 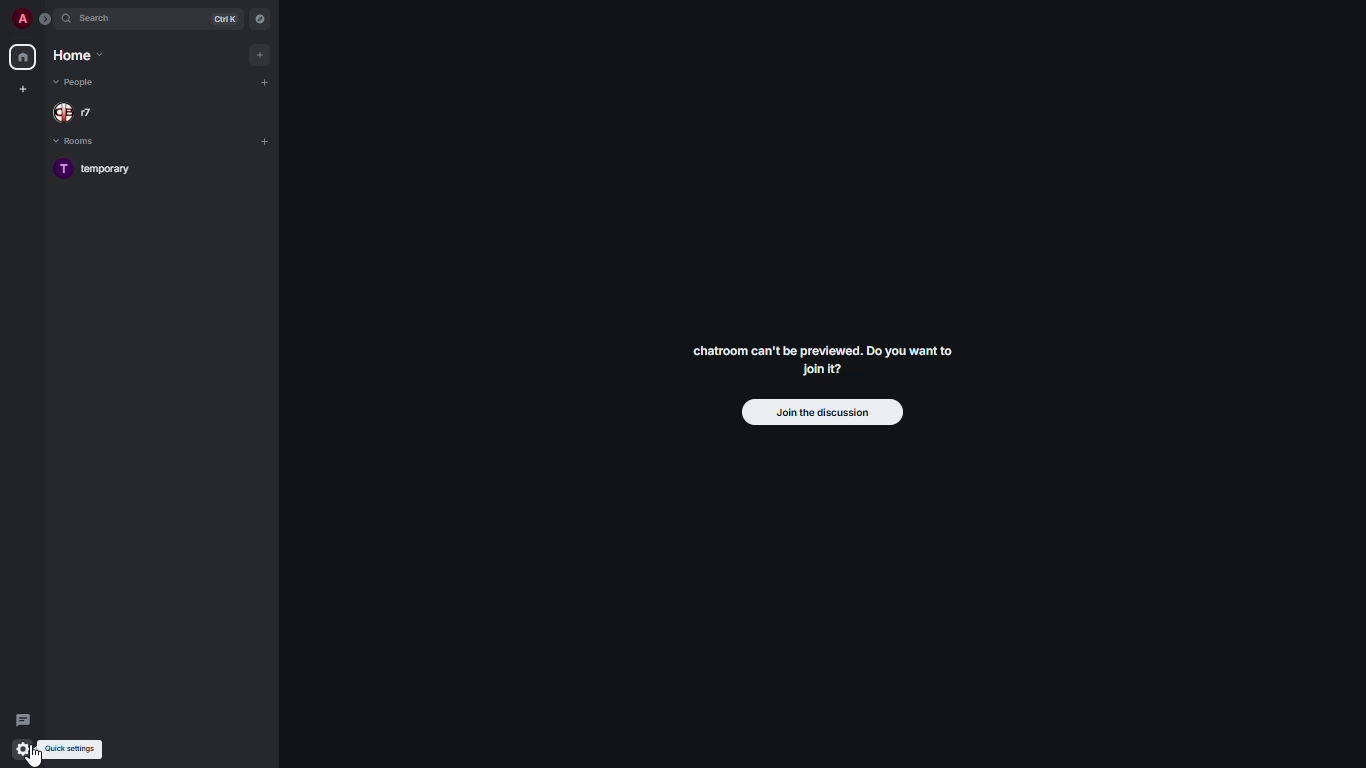 What do you see at coordinates (24, 55) in the screenshot?
I see `home` at bounding box center [24, 55].